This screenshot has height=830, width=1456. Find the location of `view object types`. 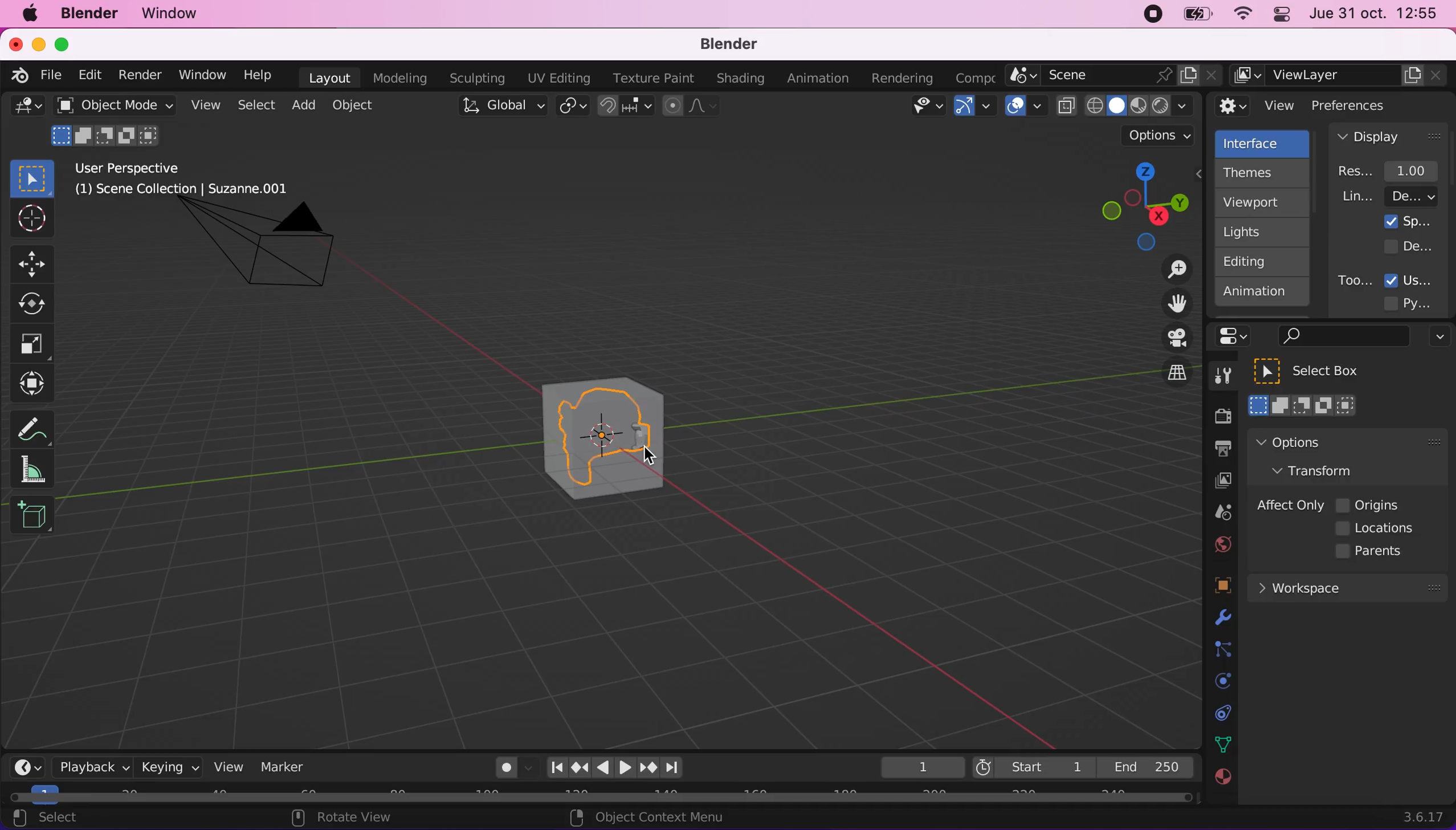

view object types is located at coordinates (925, 108).